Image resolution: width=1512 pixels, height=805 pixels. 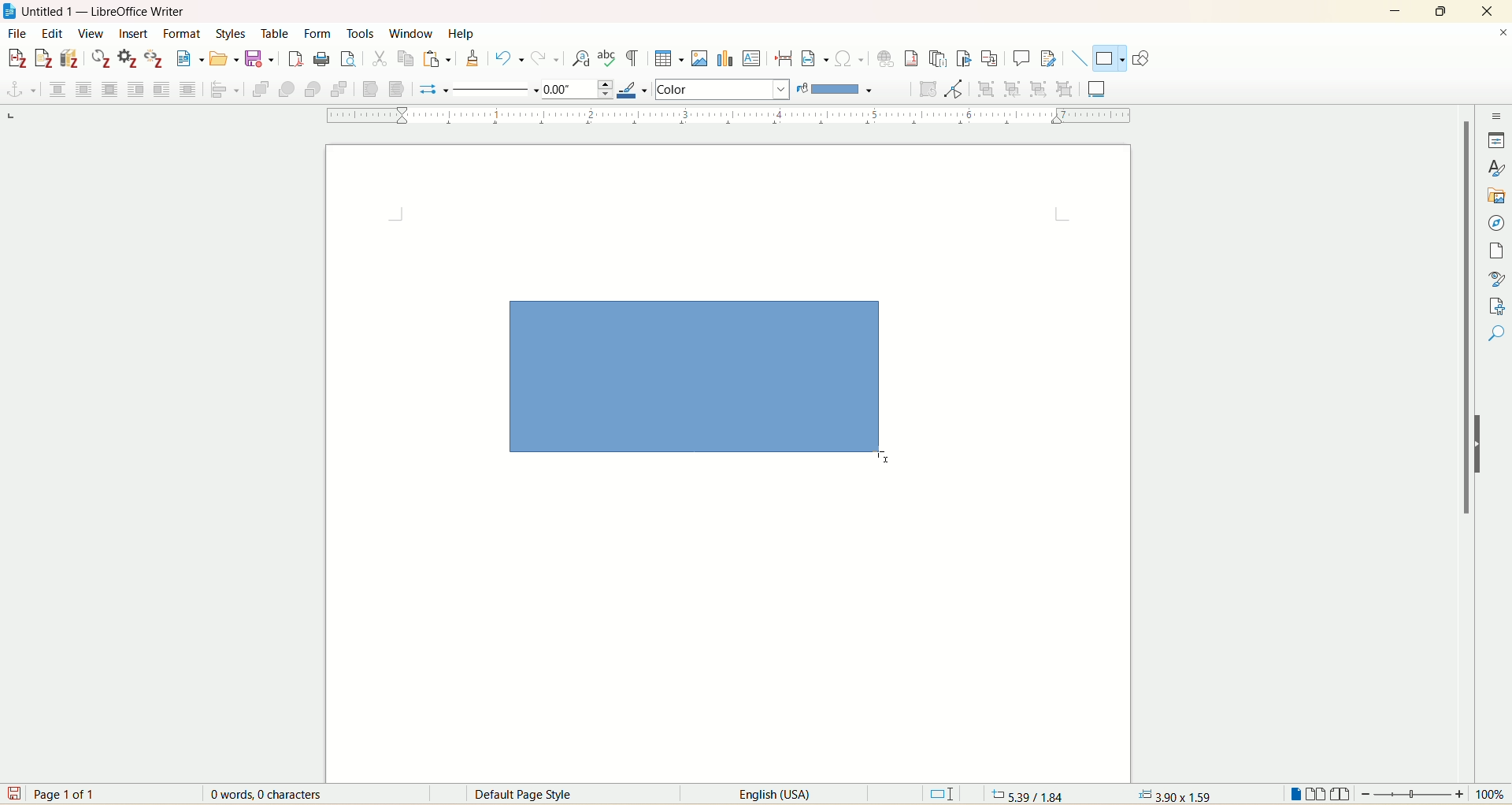 What do you see at coordinates (312, 90) in the screenshot?
I see `back one` at bounding box center [312, 90].